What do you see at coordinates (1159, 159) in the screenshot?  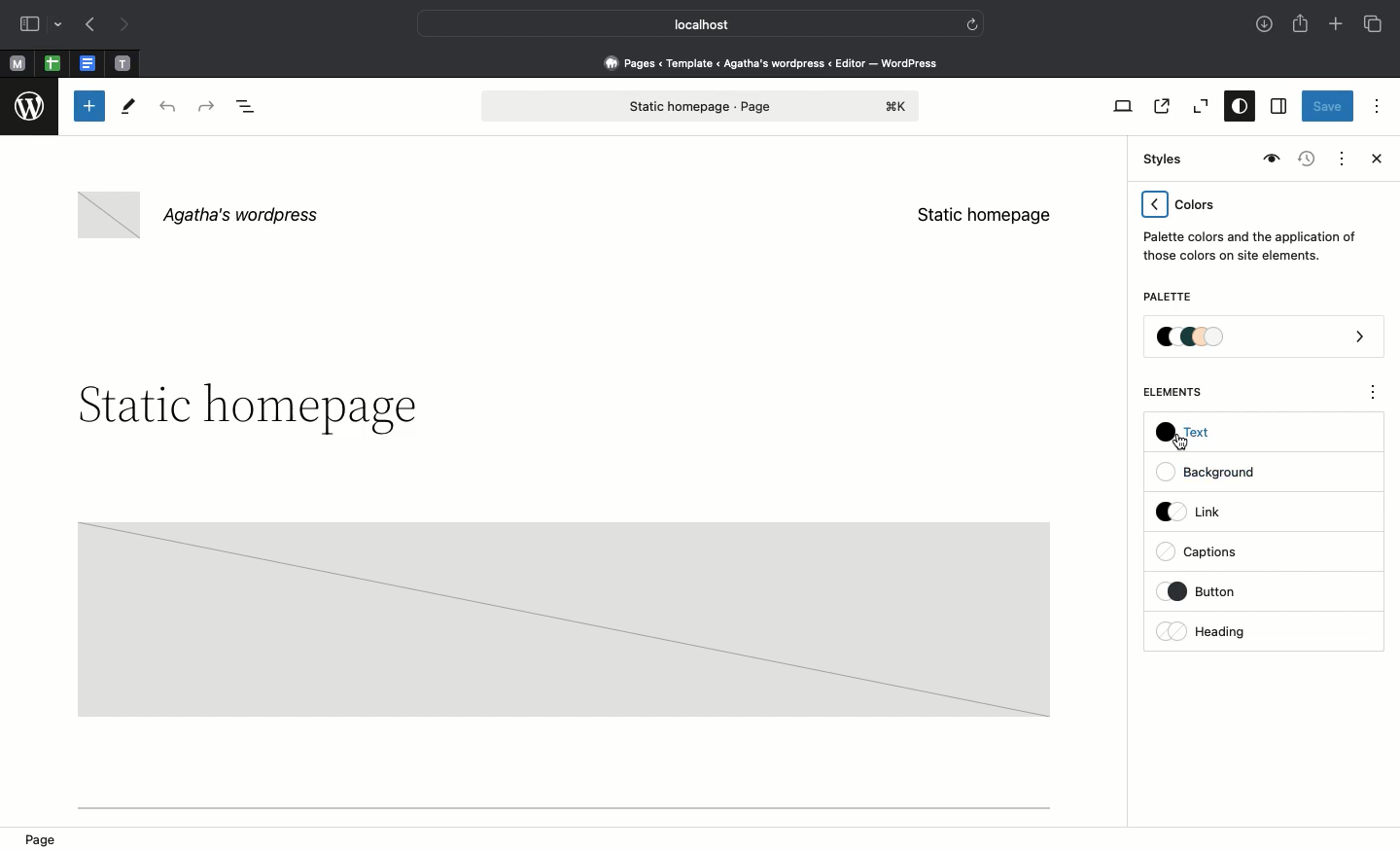 I see `Styles` at bounding box center [1159, 159].